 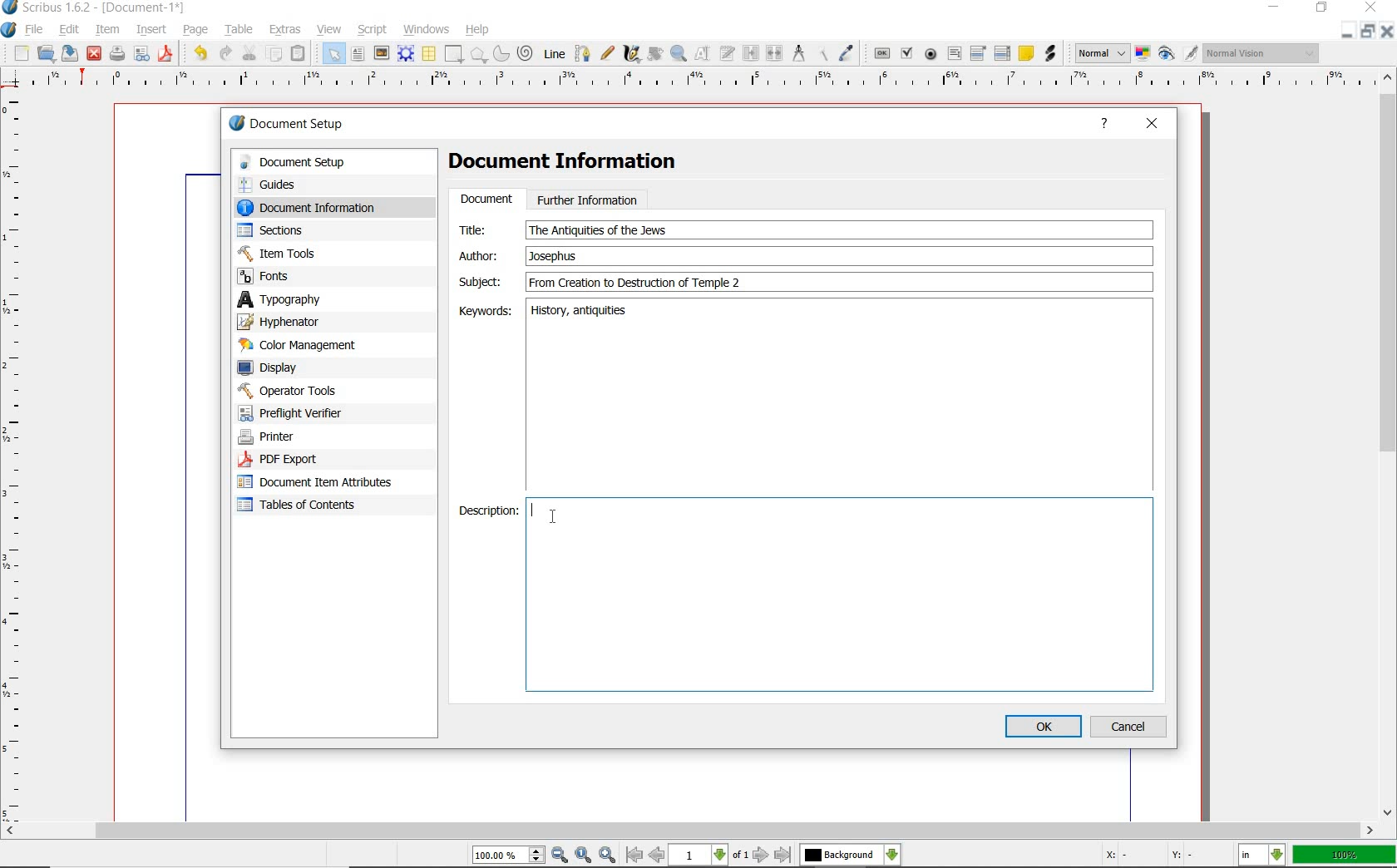 I want to click on restore, so click(x=1365, y=32).